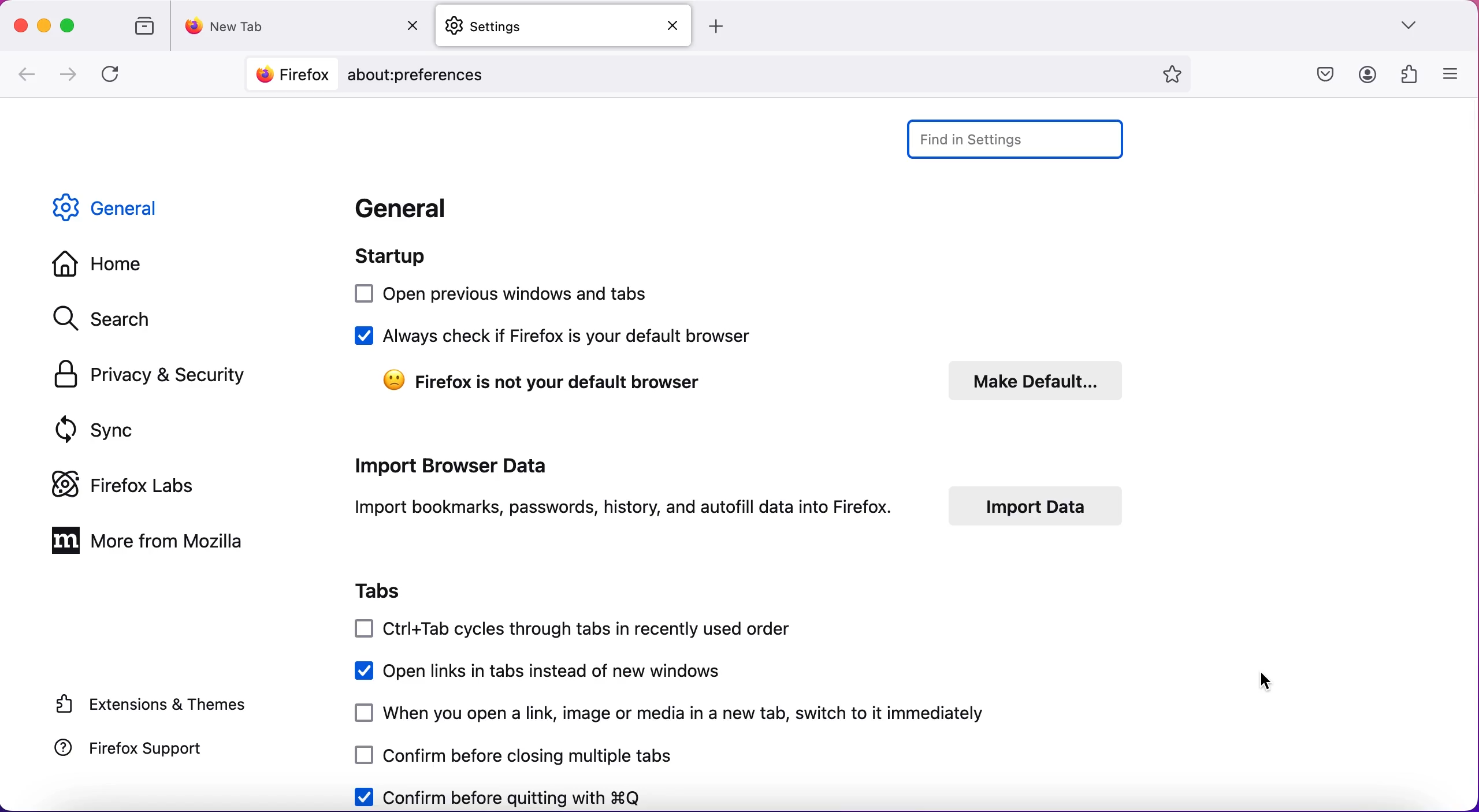  I want to click on import data, so click(1045, 502).